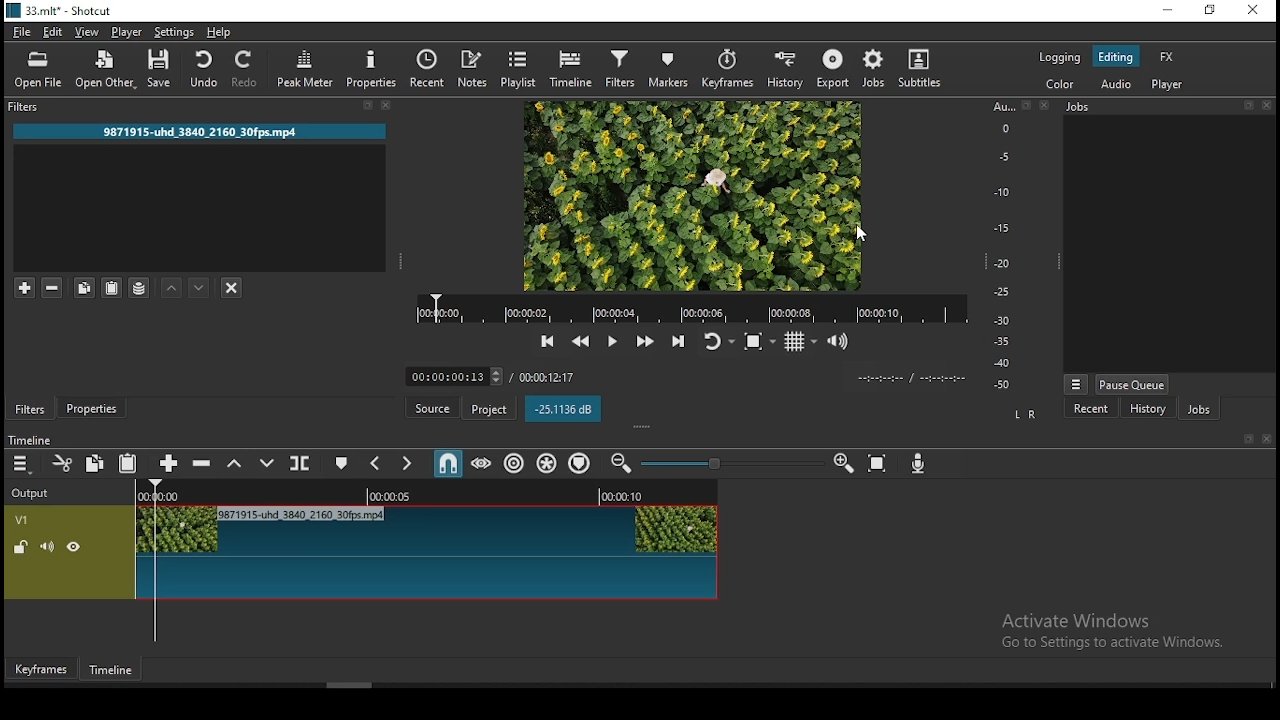  What do you see at coordinates (53, 289) in the screenshot?
I see `remove selected filters` at bounding box center [53, 289].